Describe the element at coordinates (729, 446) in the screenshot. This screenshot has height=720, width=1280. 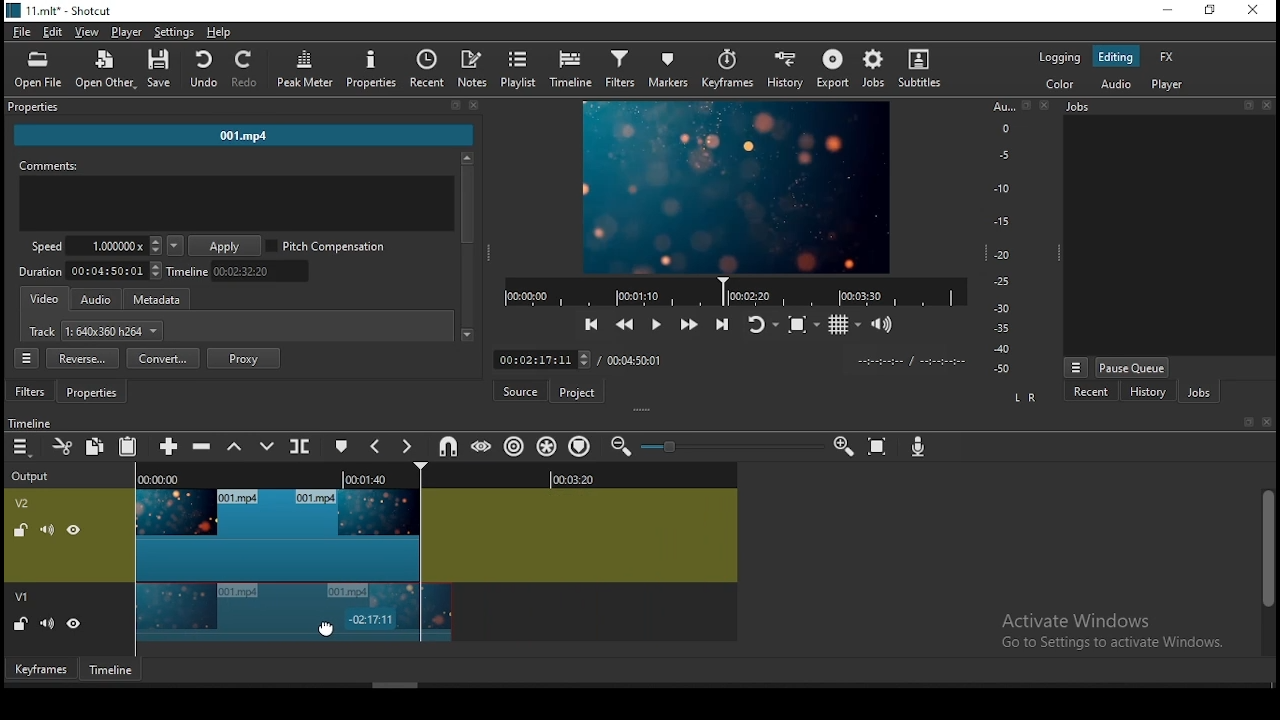
I see `Zoom slider` at that location.